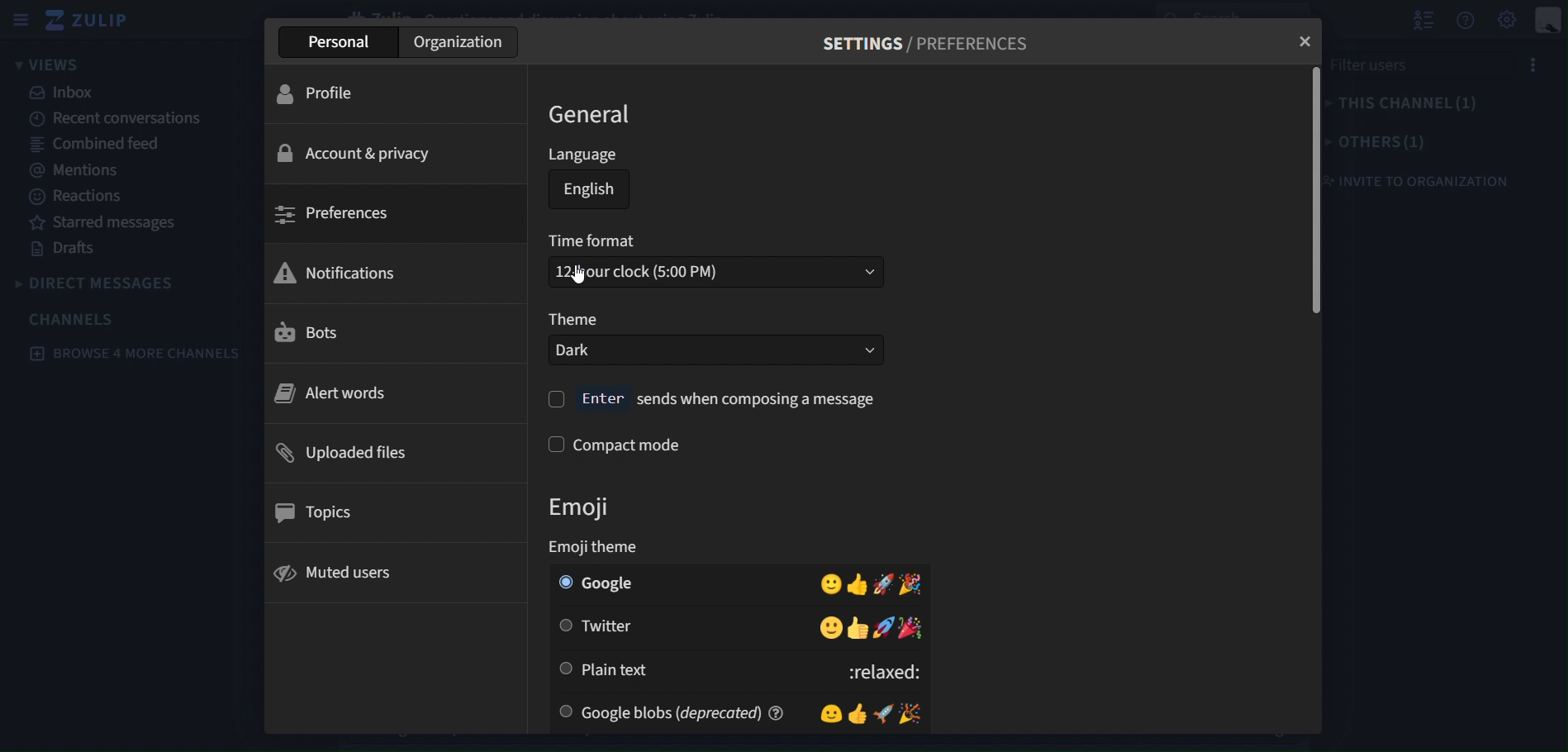 The height and width of the screenshot is (752, 1568). What do you see at coordinates (384, 573) in the screenshot?
I see `muted users` at bounding box center [384, 573].